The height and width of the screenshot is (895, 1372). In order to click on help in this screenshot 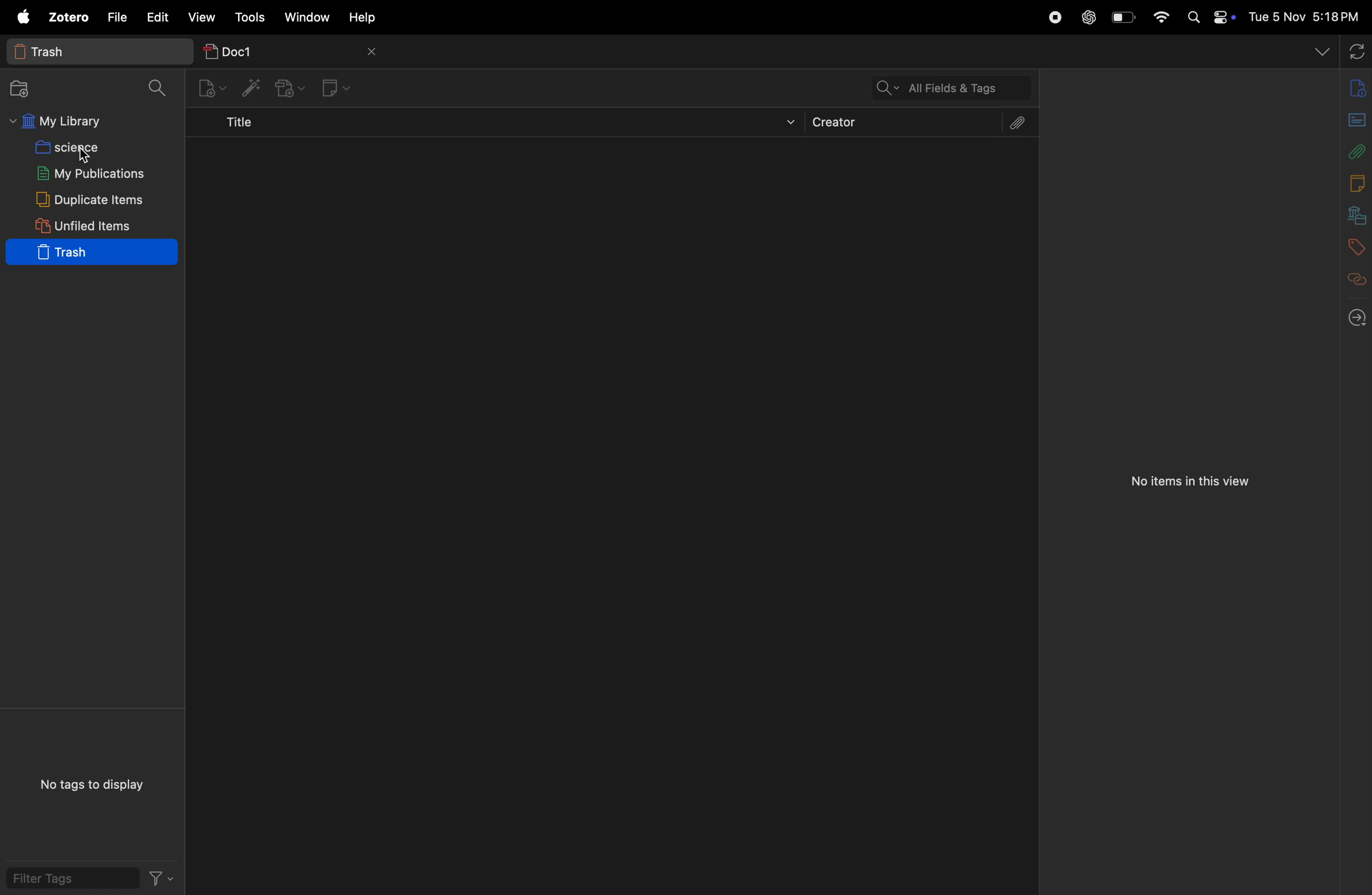, I will do `click(370, 17)`.